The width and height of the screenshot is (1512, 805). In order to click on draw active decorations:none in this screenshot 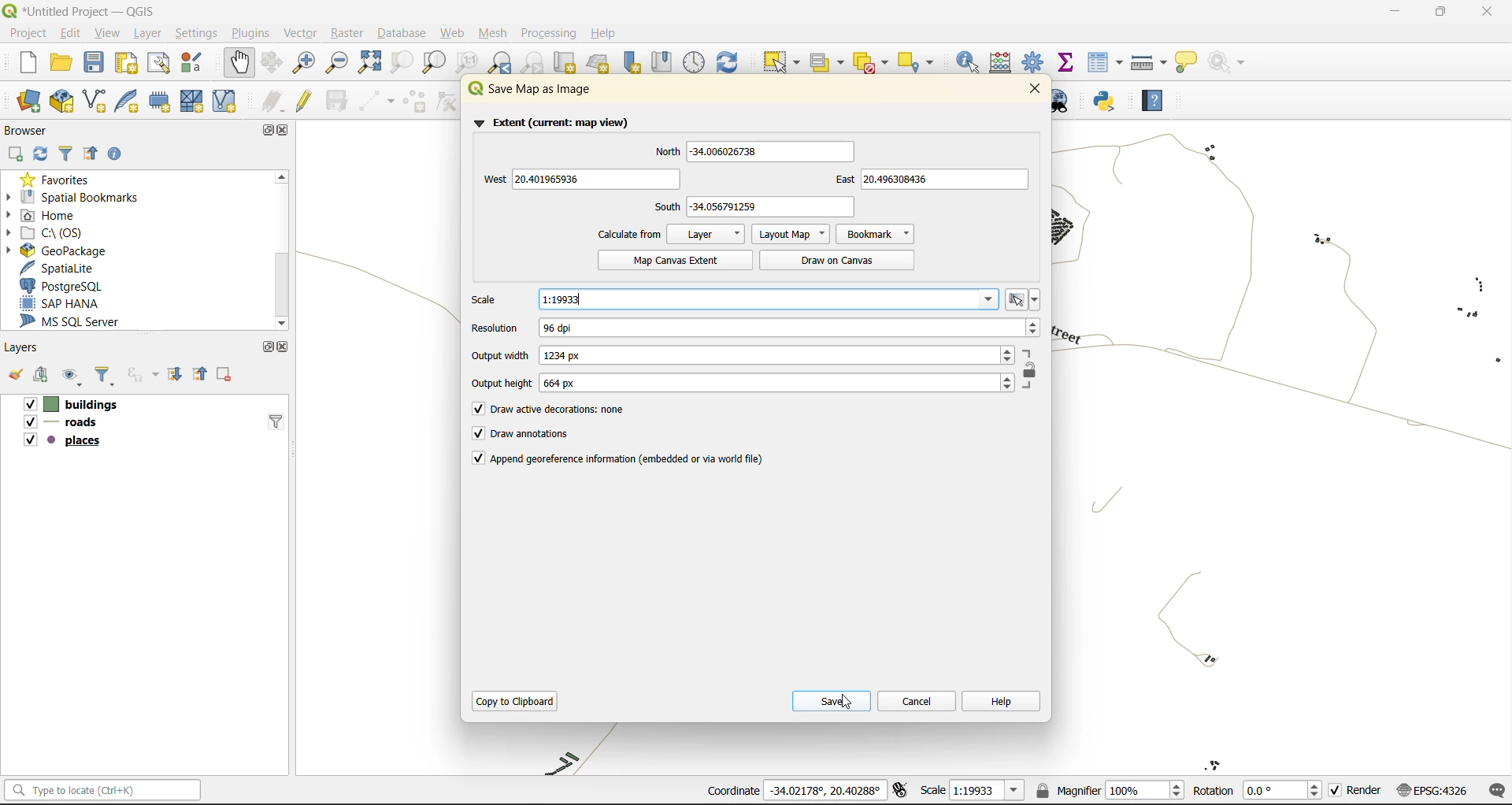, I will do `click(567, 411)`.